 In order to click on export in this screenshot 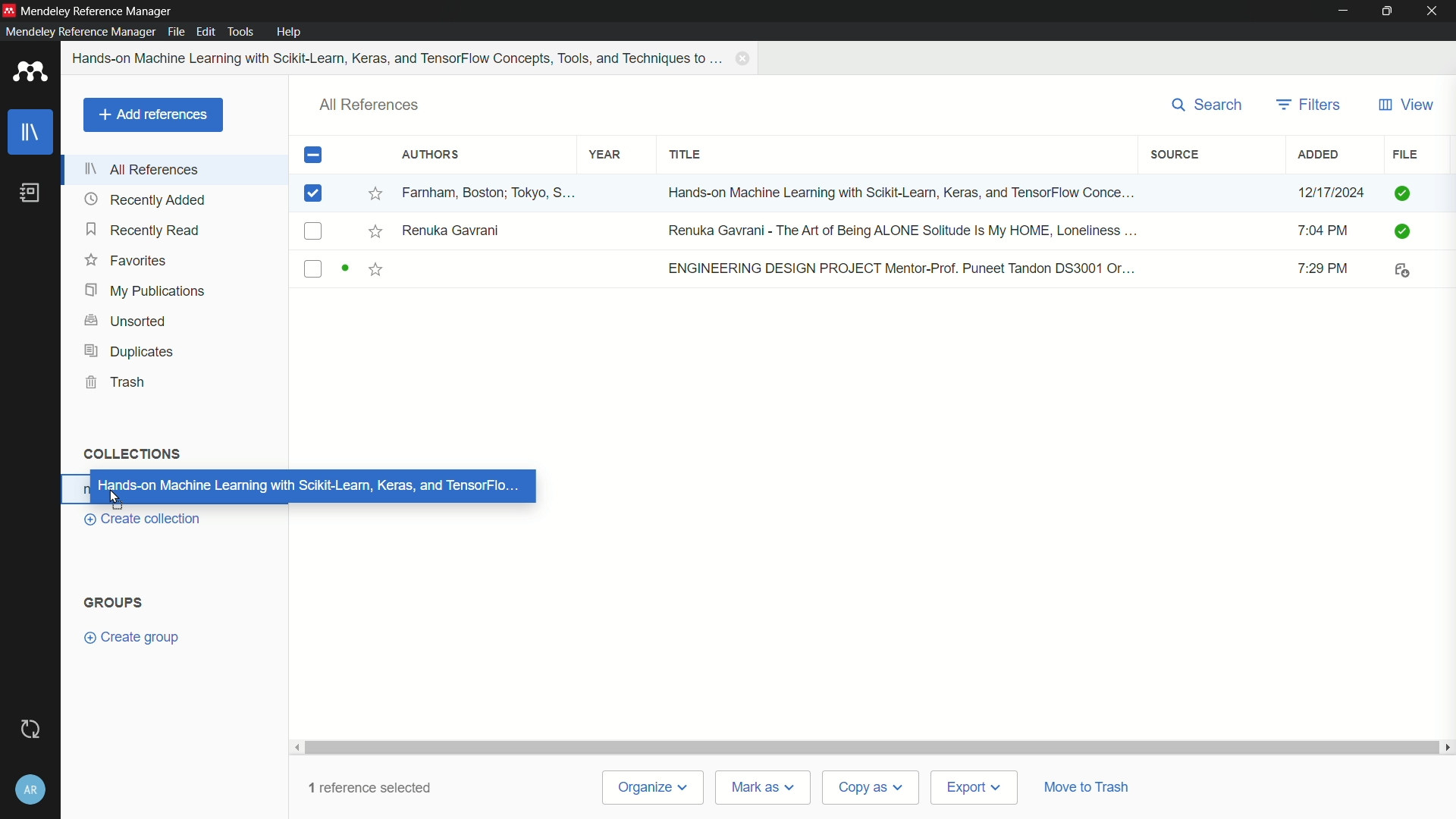, I will do `click(972, 789)`.